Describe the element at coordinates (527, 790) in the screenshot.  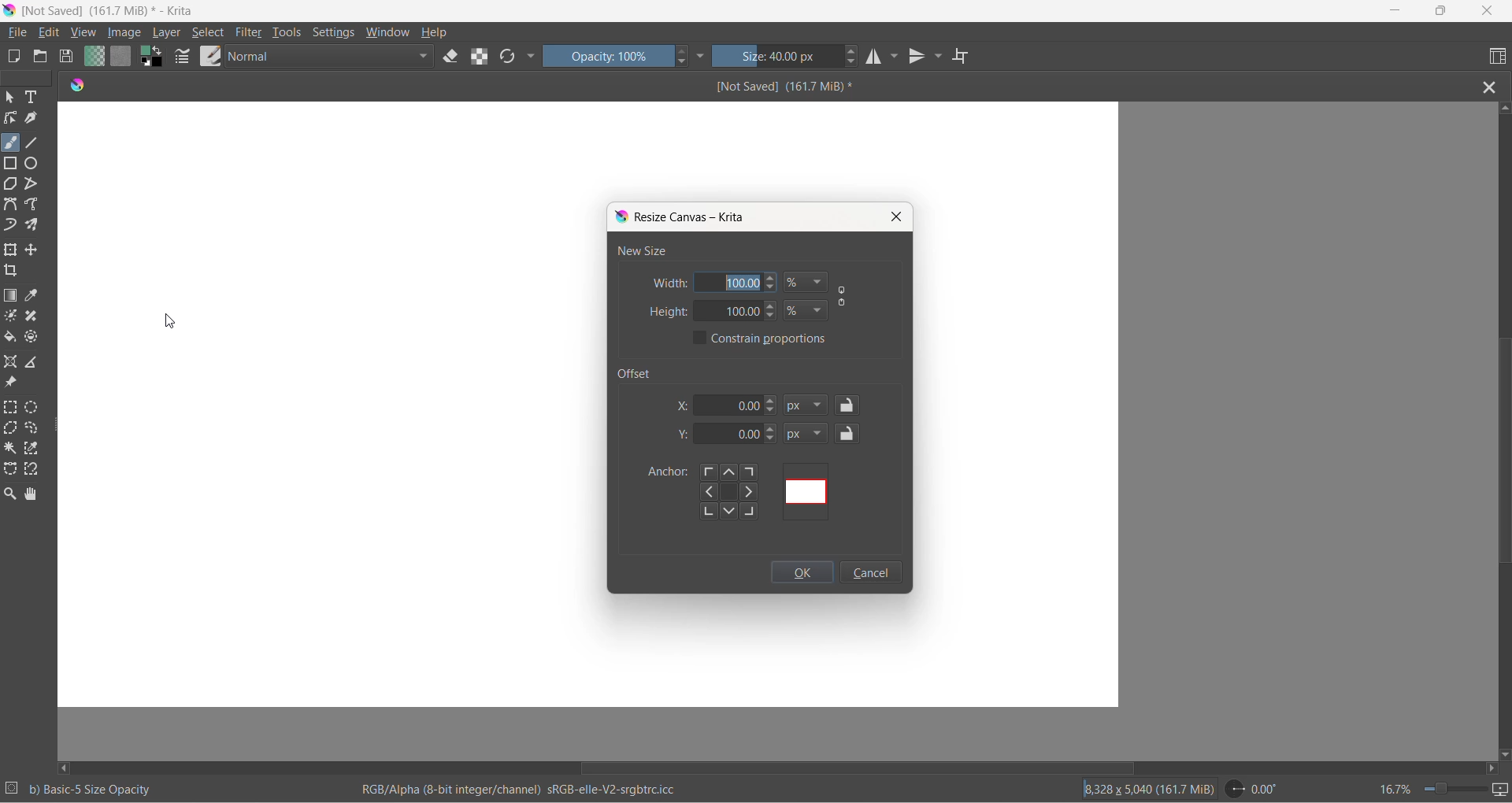
I see `rgb information` at that location.